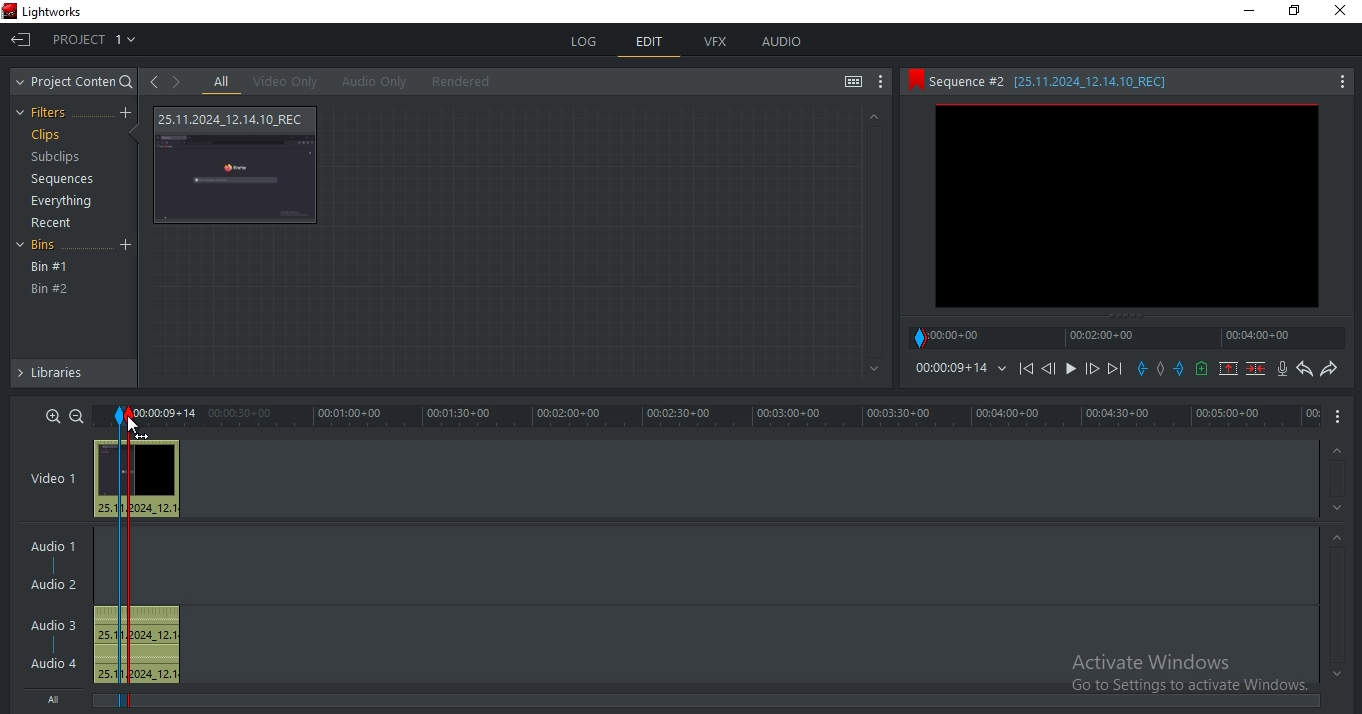  Describe the element at coordinates (1256, 369) in the screenshot. I see `delete marked section` at that location.